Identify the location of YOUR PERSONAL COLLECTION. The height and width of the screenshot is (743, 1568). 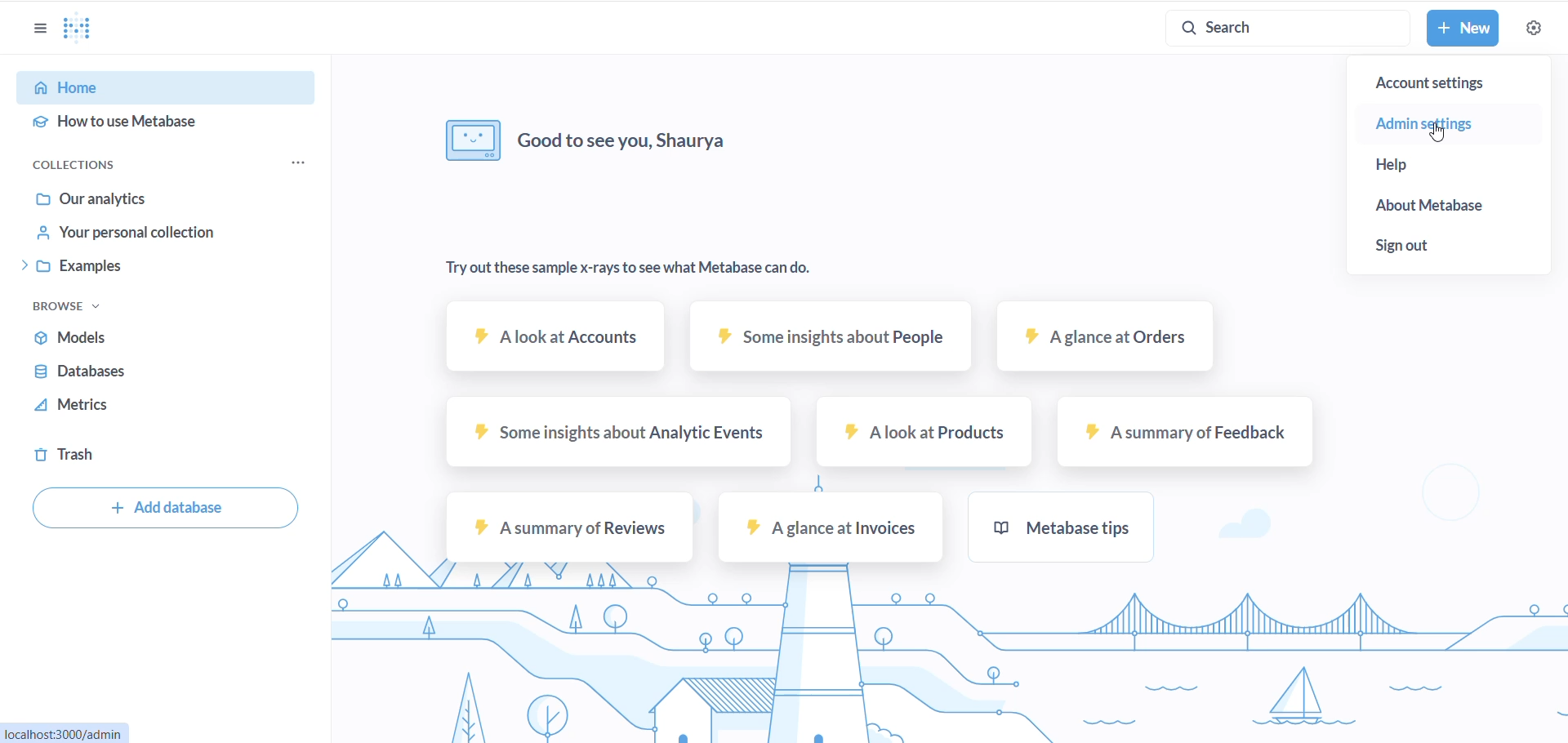
(145, 234).